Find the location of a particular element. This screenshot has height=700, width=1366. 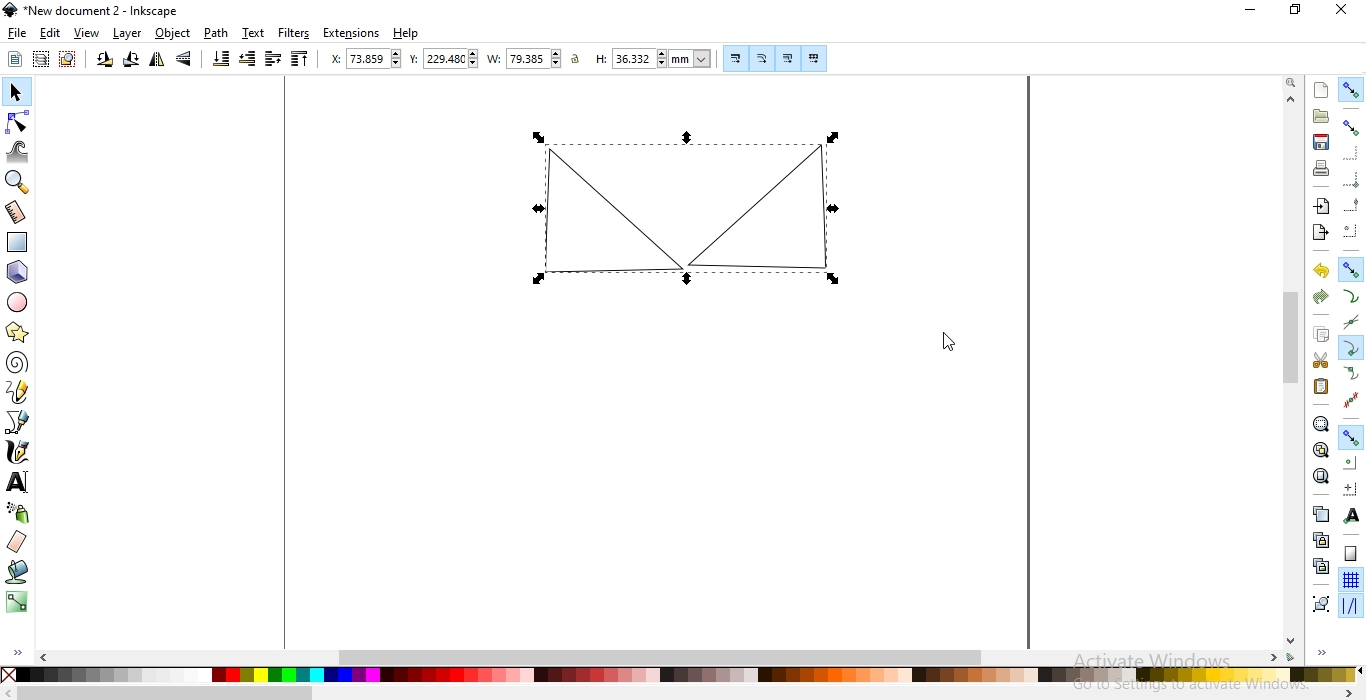

view is located at coordinates (87, 34).